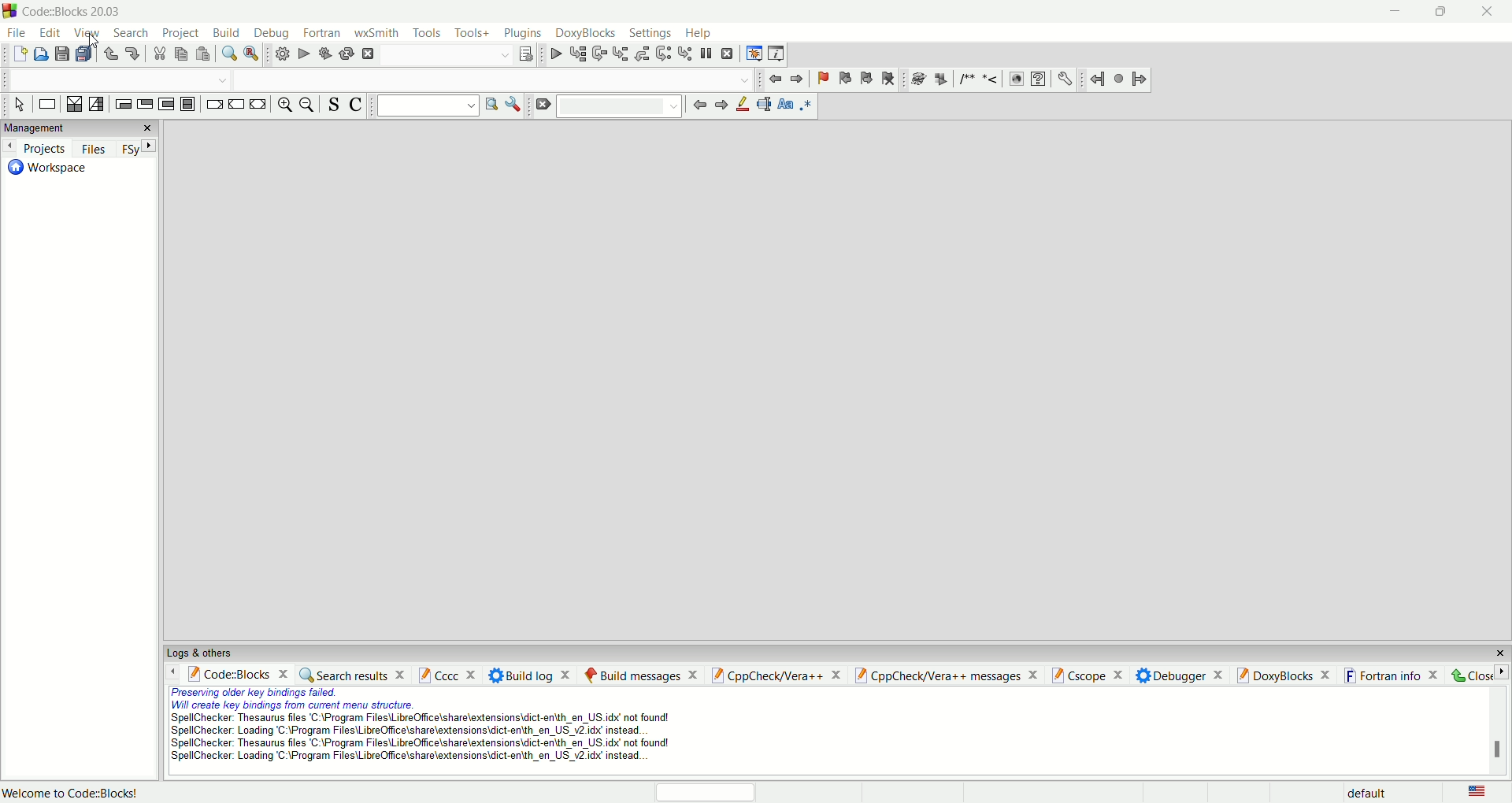  What do you see at coordinates (213, 104) in the screenshot?
I see `break` at bounding box center [213, 104].